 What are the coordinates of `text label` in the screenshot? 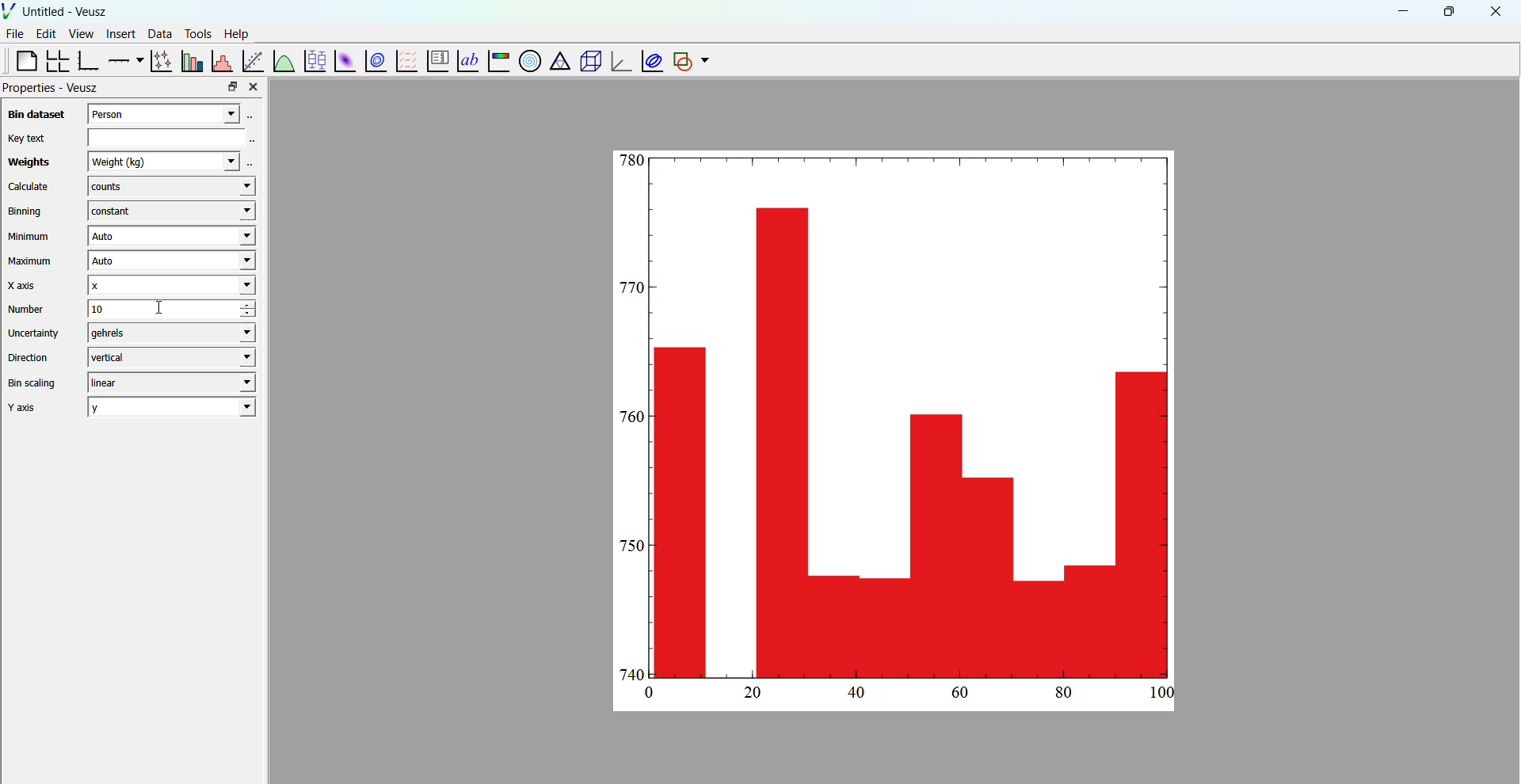 It's located at (466, 59).